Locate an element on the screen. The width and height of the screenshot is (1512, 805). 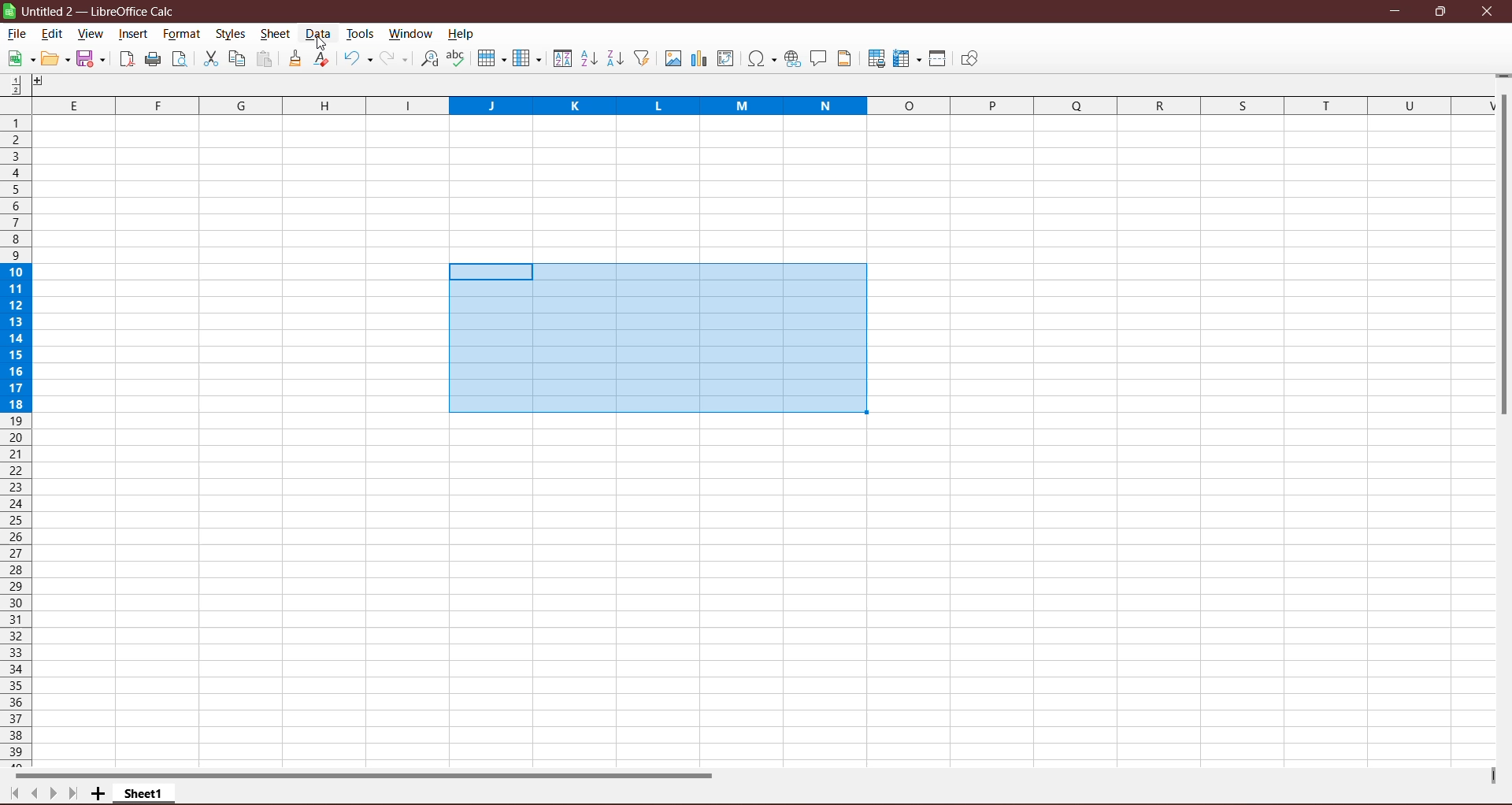
Window is located at coordinates (410, 33).